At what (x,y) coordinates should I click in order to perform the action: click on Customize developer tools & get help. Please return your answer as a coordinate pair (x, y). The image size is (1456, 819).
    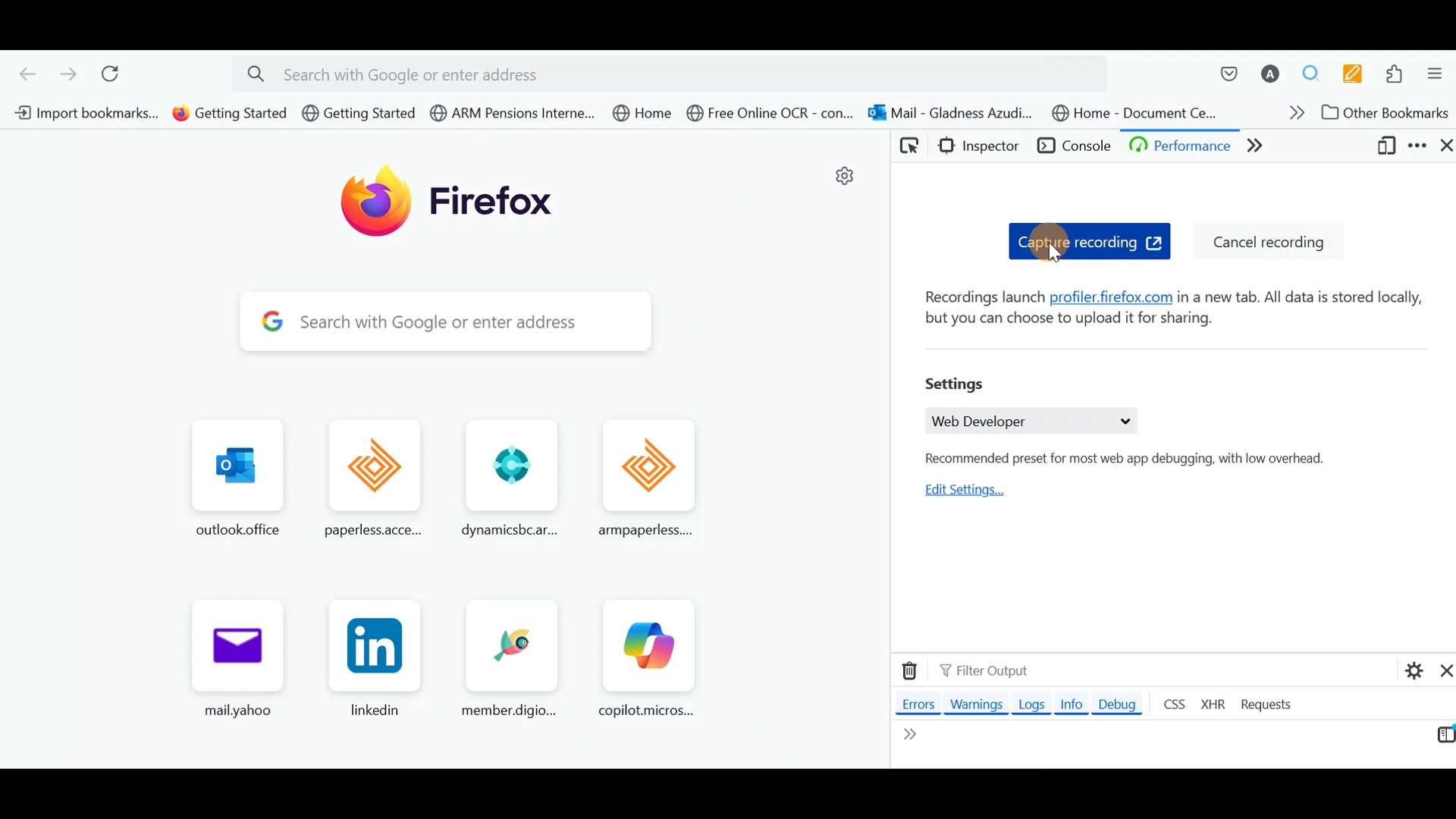
    Looking at the image, I should click on (1420, 148).